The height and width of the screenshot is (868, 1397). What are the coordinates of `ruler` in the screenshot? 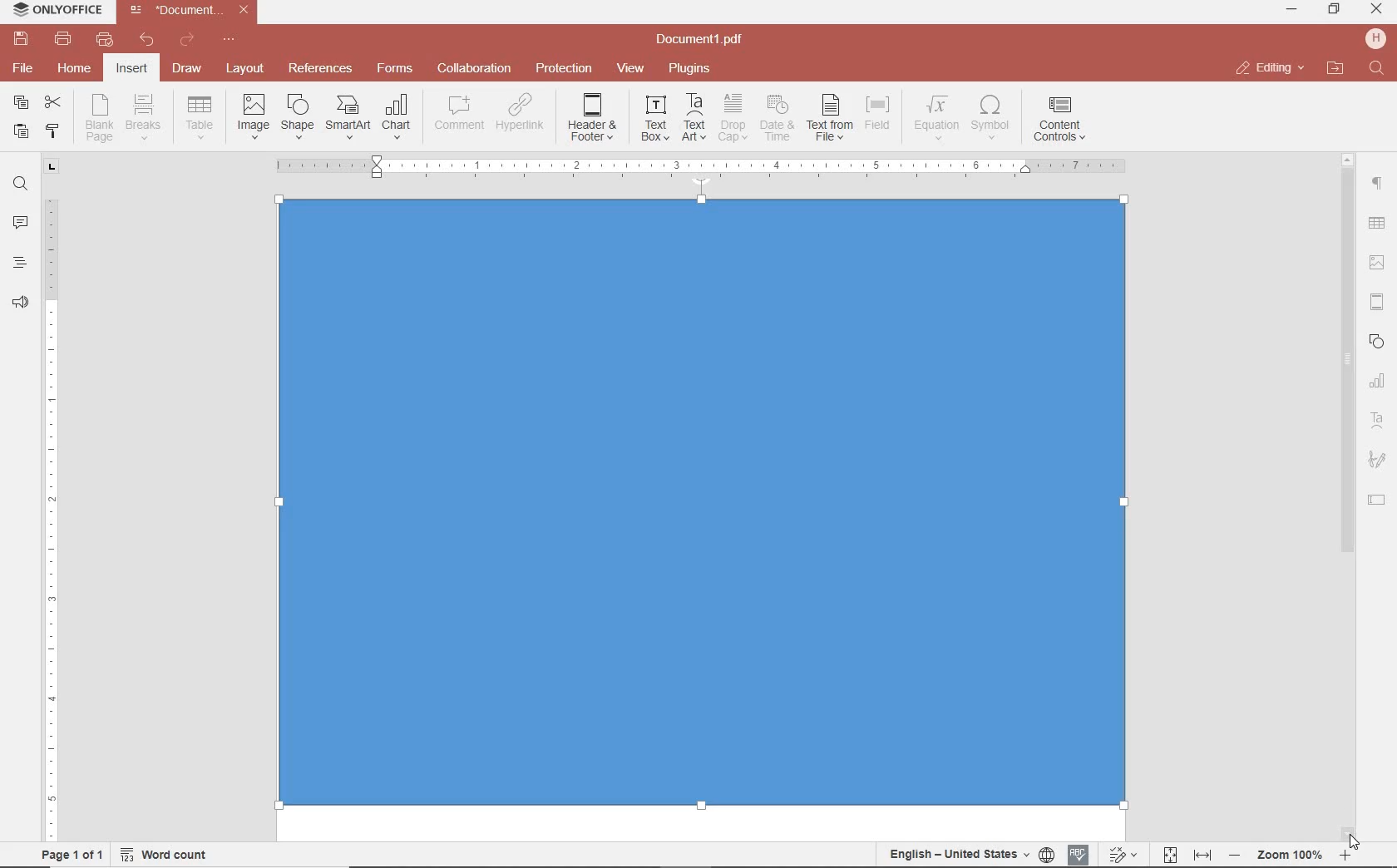 It's located at (52, 508).